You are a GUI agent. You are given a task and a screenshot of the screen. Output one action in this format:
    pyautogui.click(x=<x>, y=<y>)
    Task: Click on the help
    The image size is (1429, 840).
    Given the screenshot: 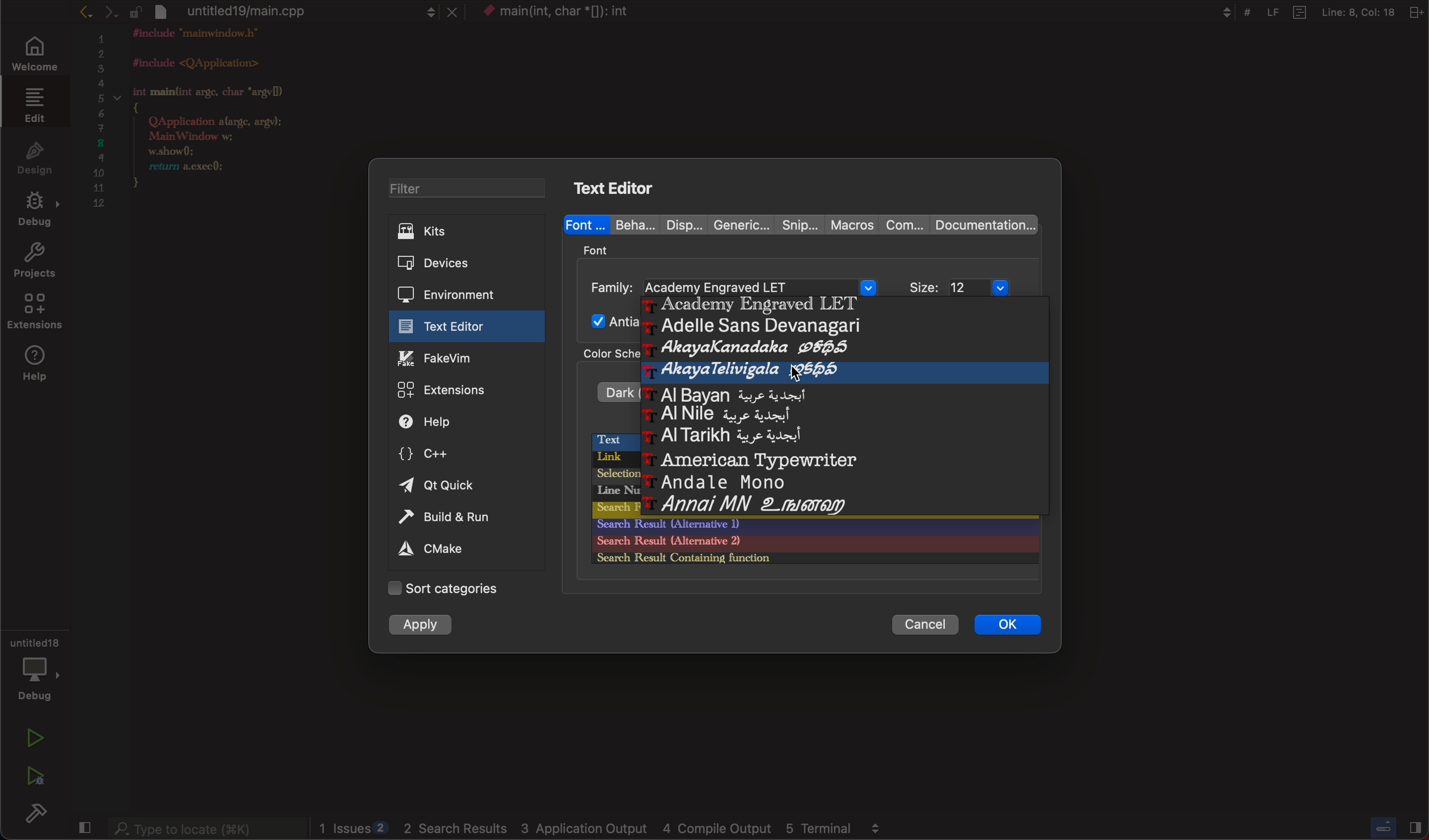 What is the action you would take?
    pyautogui.click(x=450, y=422)
    